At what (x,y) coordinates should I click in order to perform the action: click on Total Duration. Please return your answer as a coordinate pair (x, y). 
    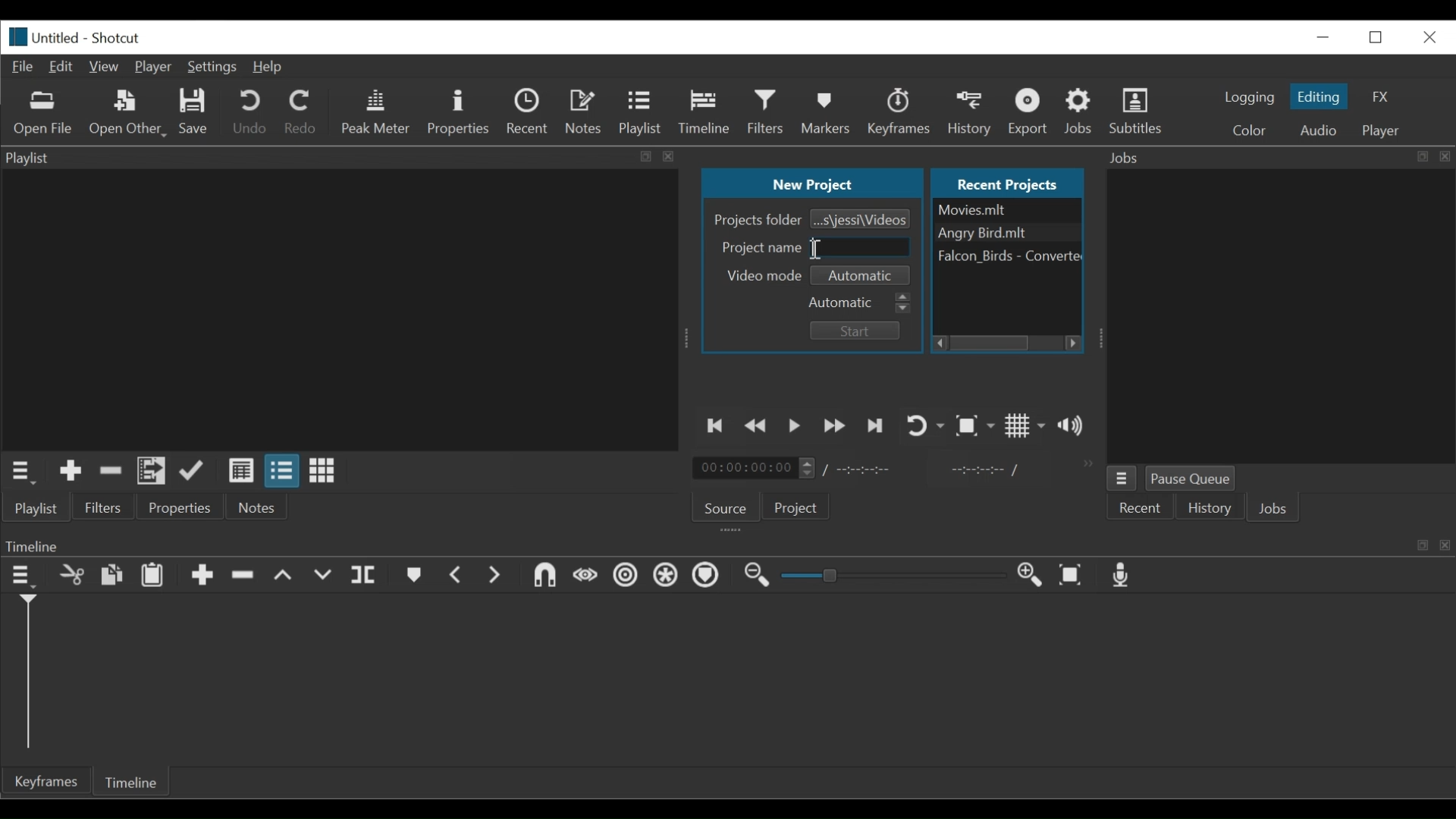
    Looking at the image, I should click on (864, 469).